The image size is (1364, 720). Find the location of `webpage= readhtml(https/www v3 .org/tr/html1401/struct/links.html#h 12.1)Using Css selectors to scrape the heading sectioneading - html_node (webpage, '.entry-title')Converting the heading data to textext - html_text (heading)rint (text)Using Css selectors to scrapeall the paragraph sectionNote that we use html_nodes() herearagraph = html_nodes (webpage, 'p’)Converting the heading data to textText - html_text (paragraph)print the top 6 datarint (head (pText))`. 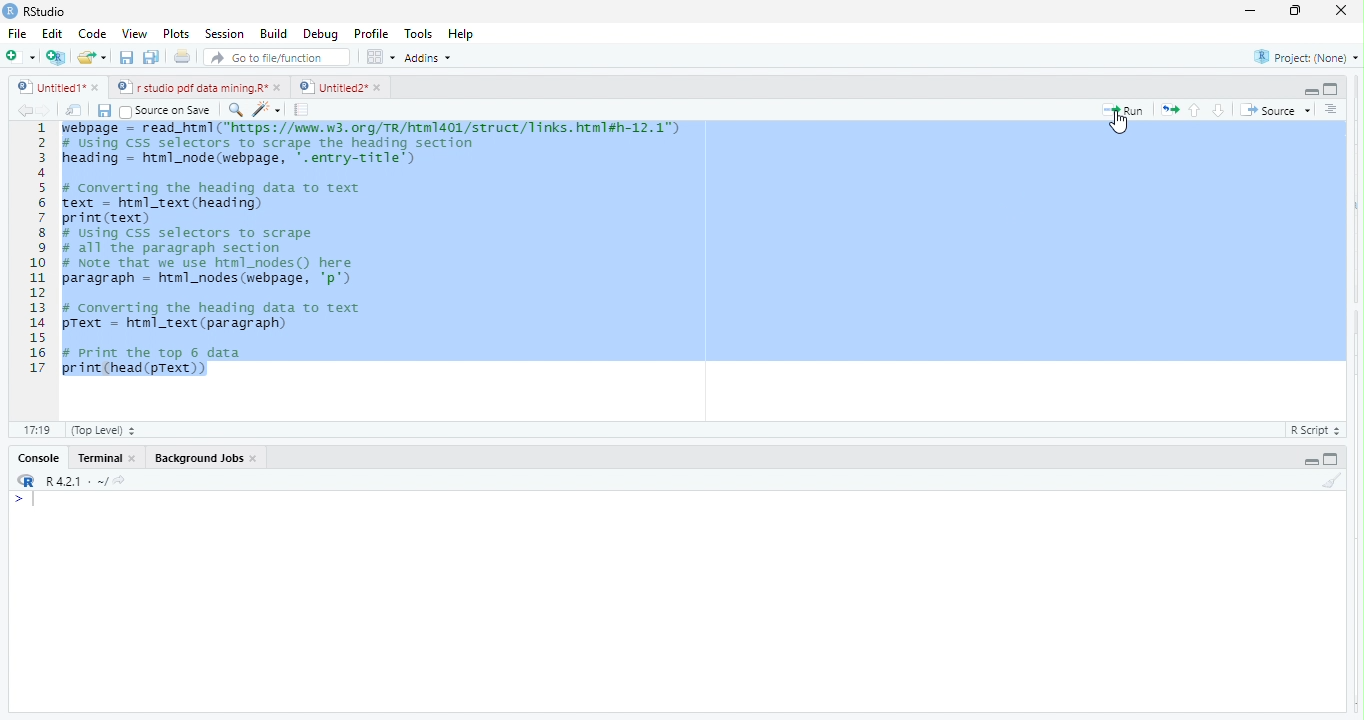

webpage= readhtml(https/www v3 .org/tr/html1401/struct/links.html#h 12.1)Using Css selectors to scrape the heading sectioneading - html_node (webpage, '.entry-title')Converting the heading data to textext - html_text (heading)rint (text)Using Css selectors to scrapeall the paragraph sectionNote that we use html_nodes() herearagraph = html_nodes (webpage, 'p’)Converting the heading data to textText - html_text (paragraph)print the top 6 datarint (head (pText)) is located at coordinates (705, 252).